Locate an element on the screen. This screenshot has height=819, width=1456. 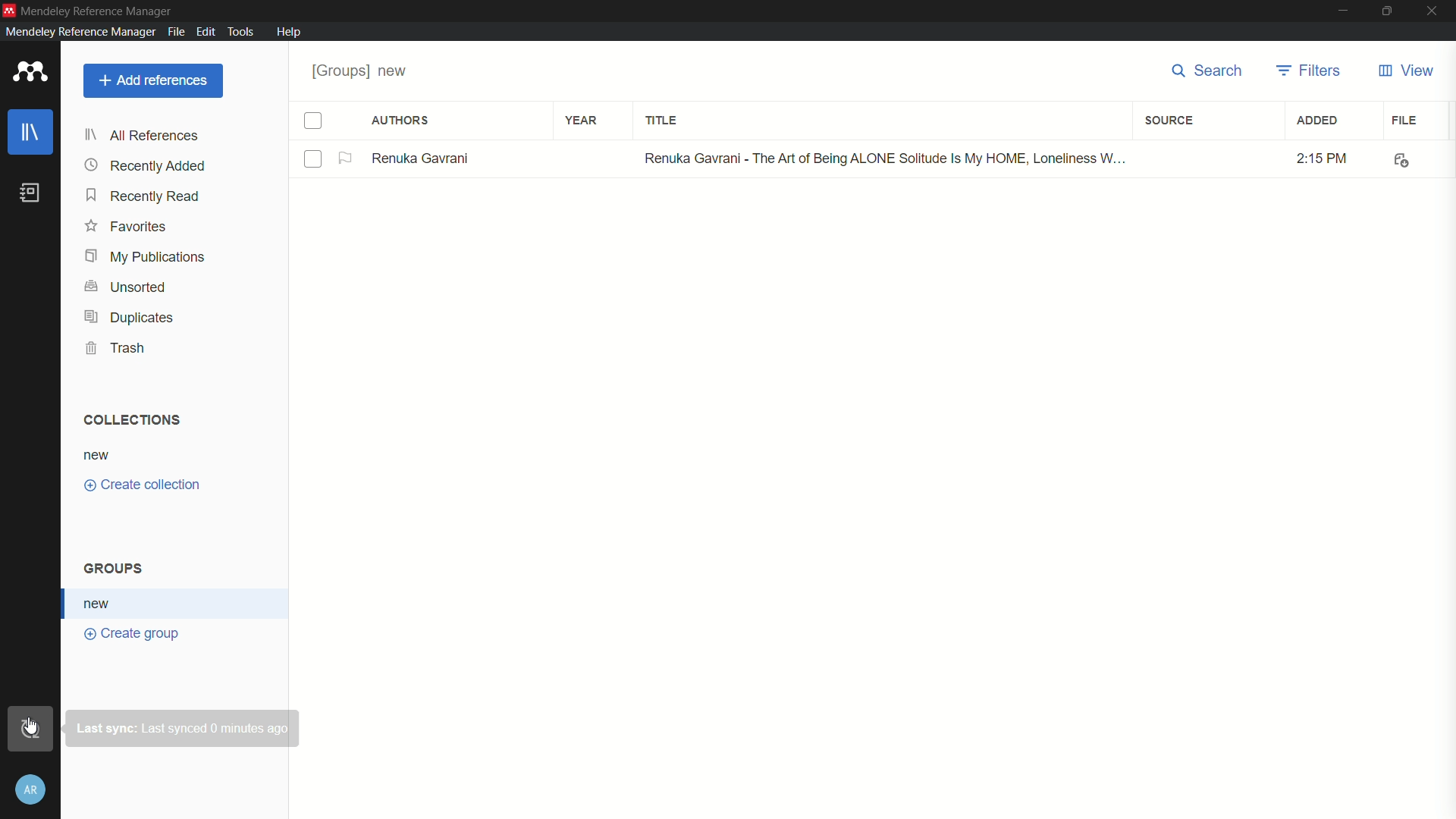
Flag is located at coordinates (347, 158).